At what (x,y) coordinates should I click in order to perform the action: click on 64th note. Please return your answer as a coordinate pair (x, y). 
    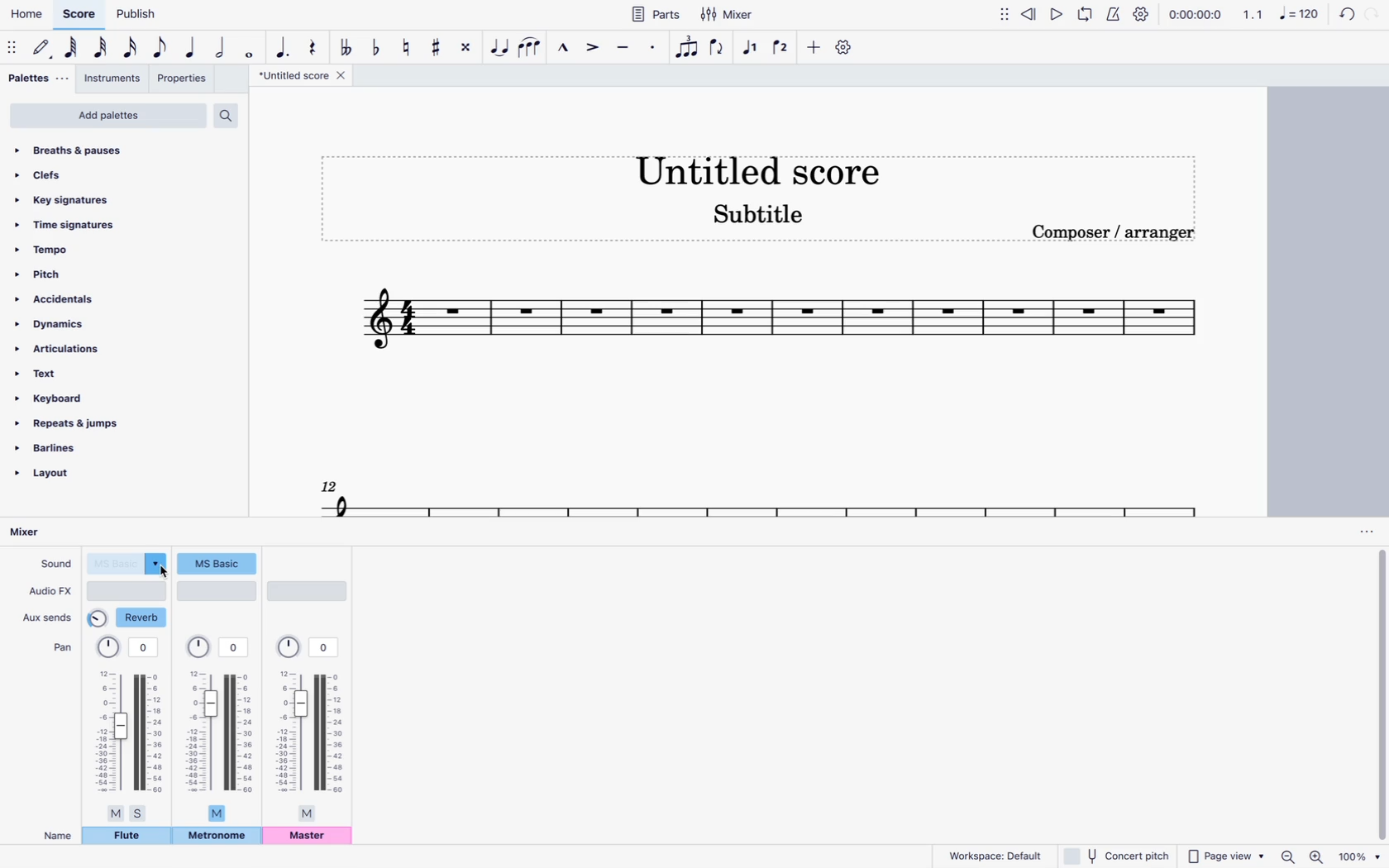
    Looking at the image, I should click on (73, 48).